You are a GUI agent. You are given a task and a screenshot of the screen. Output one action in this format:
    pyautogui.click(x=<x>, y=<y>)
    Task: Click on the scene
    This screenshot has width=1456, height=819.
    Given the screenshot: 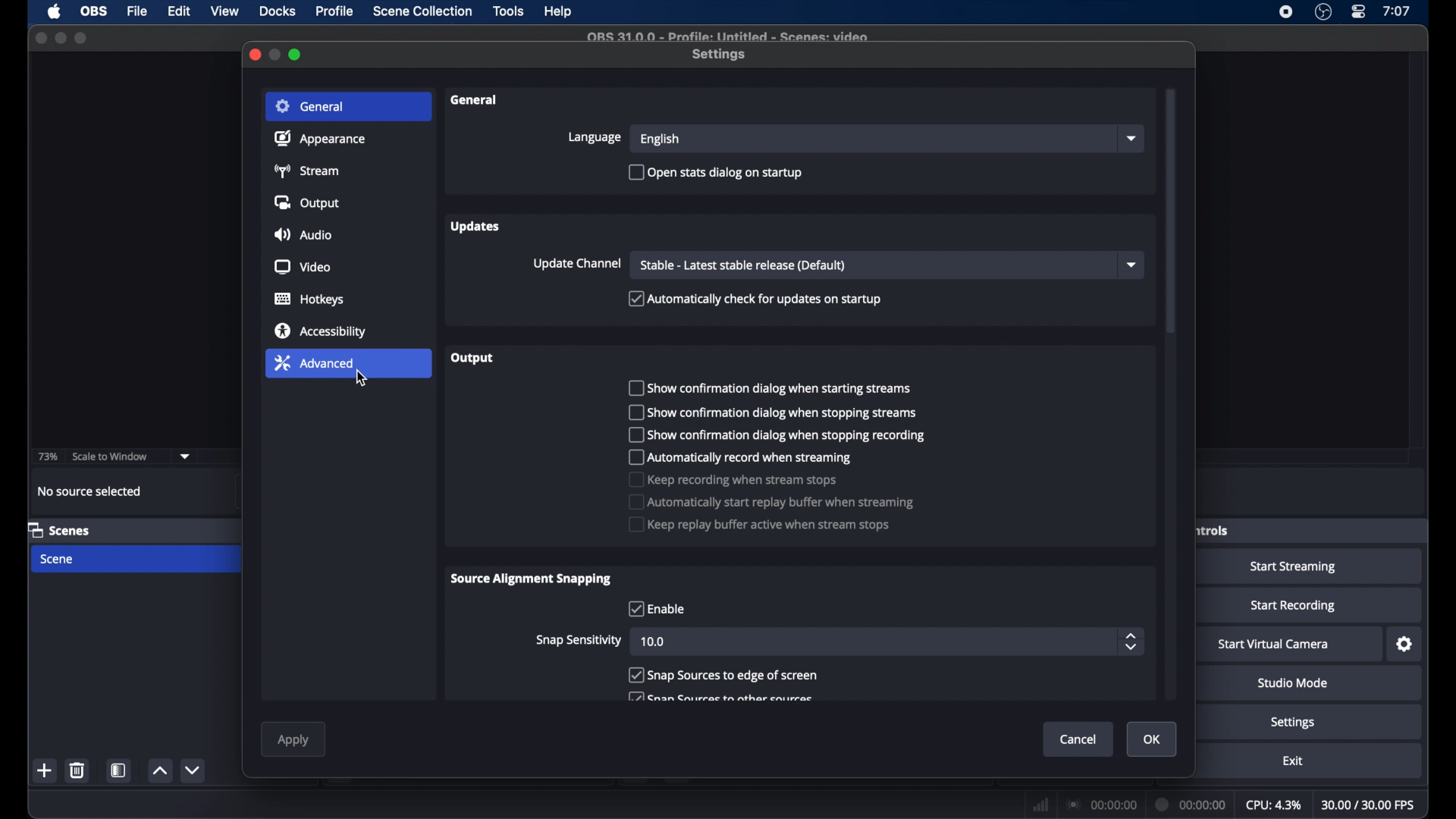 What is the action you would take?
    pyautogui.click(x=58, y=560)
    